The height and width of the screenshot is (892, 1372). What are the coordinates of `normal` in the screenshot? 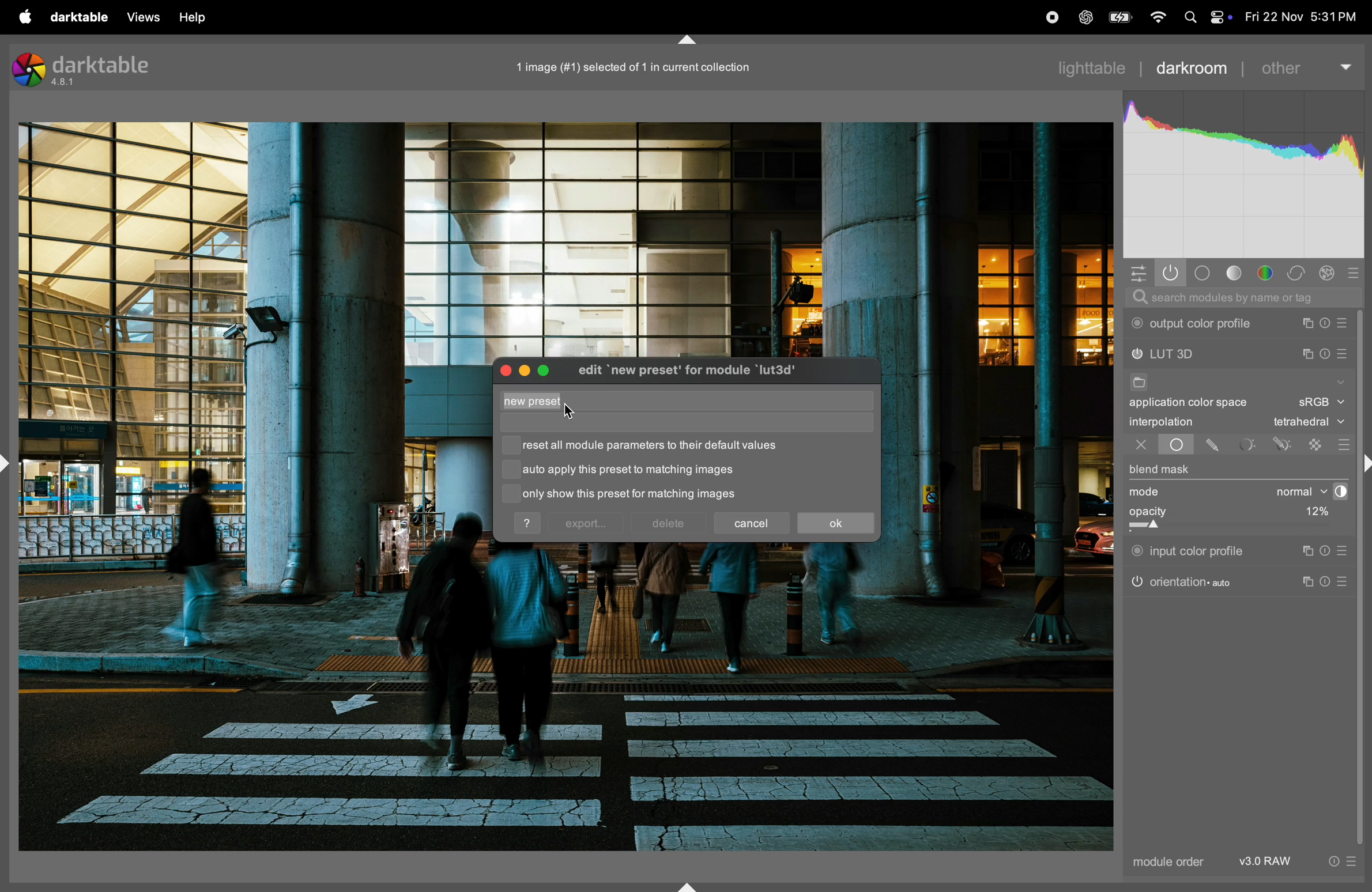 It's located at (1291, 492).